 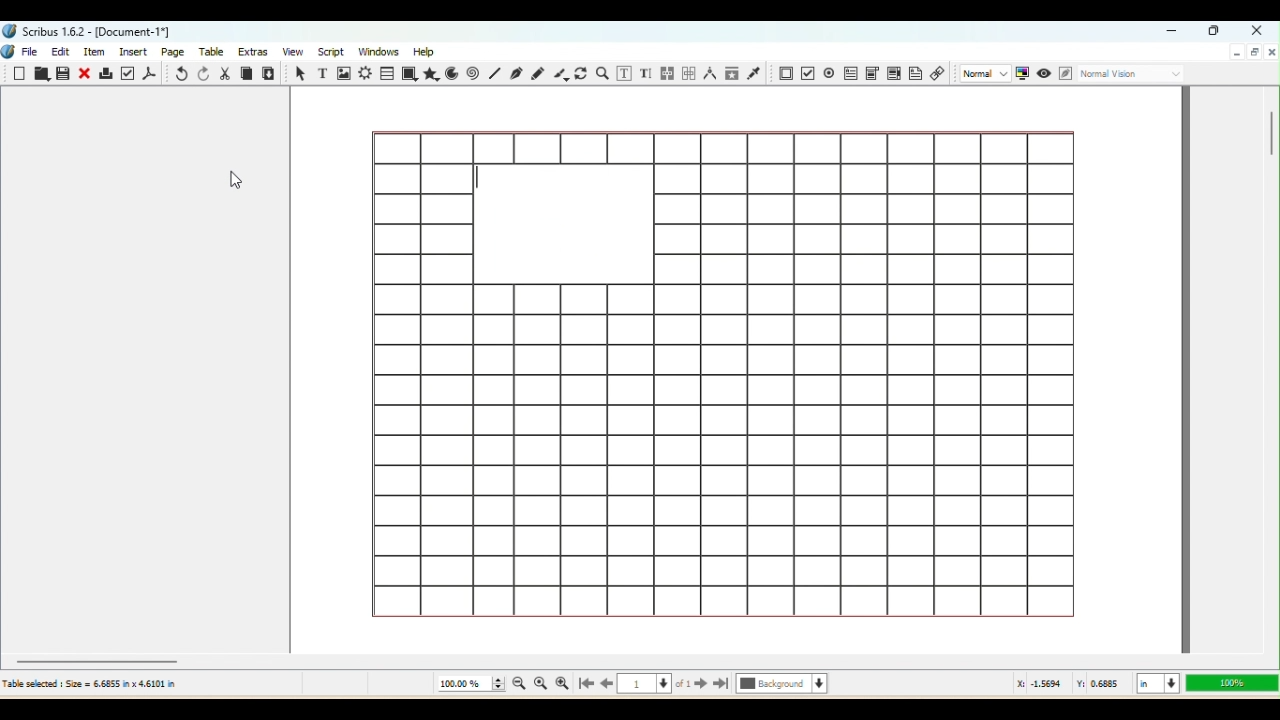 What do you see at coordinates (388, 73) in the screenshot?
I see `Table` at bounding box center [388, 73].